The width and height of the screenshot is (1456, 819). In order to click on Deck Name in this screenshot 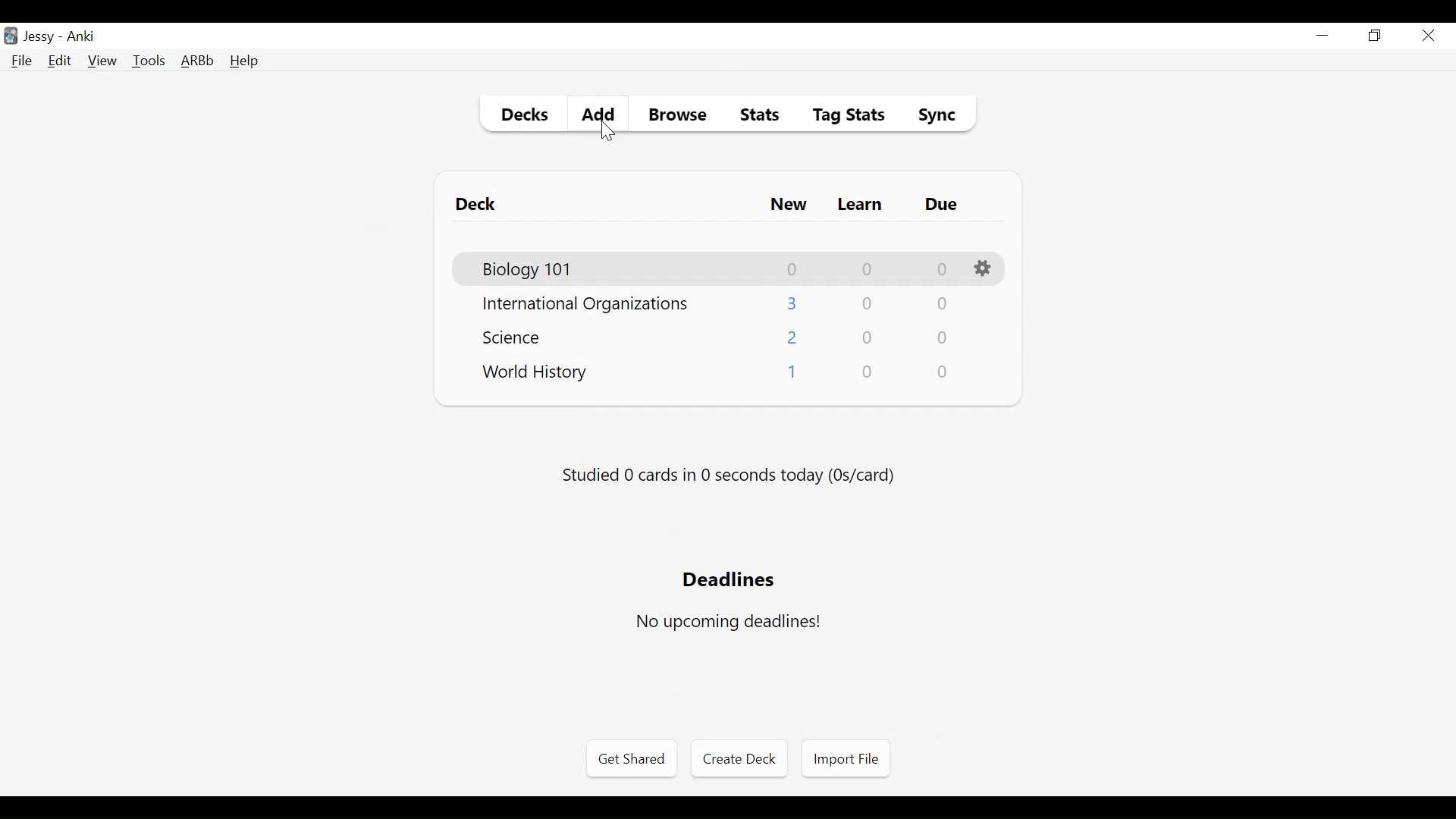, I will do `click(516, 337)`.